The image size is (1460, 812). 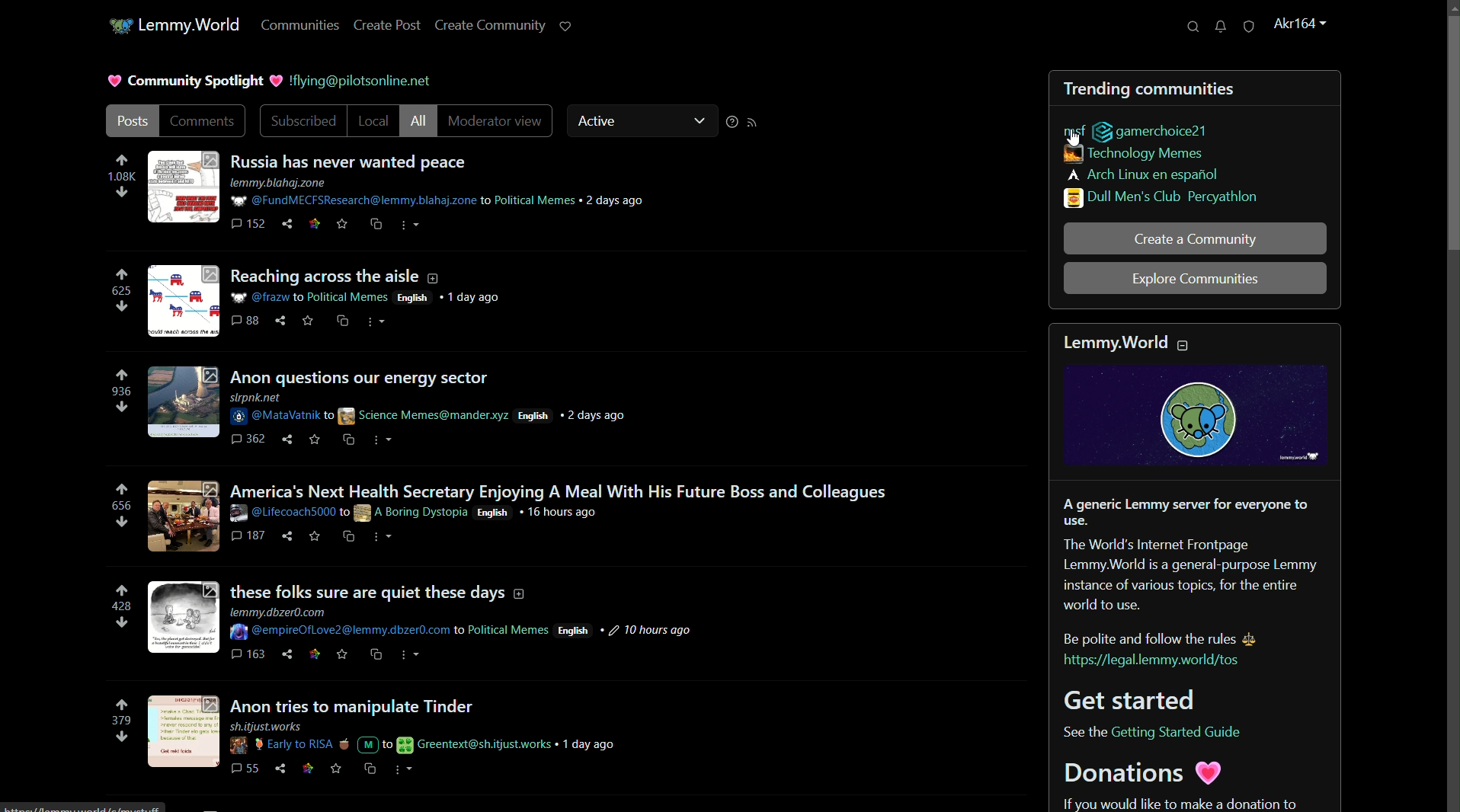 What do you see at coordinates (1220, 27) in the screenshot?
I see `unread messages` at bounding box center [1220, 27].